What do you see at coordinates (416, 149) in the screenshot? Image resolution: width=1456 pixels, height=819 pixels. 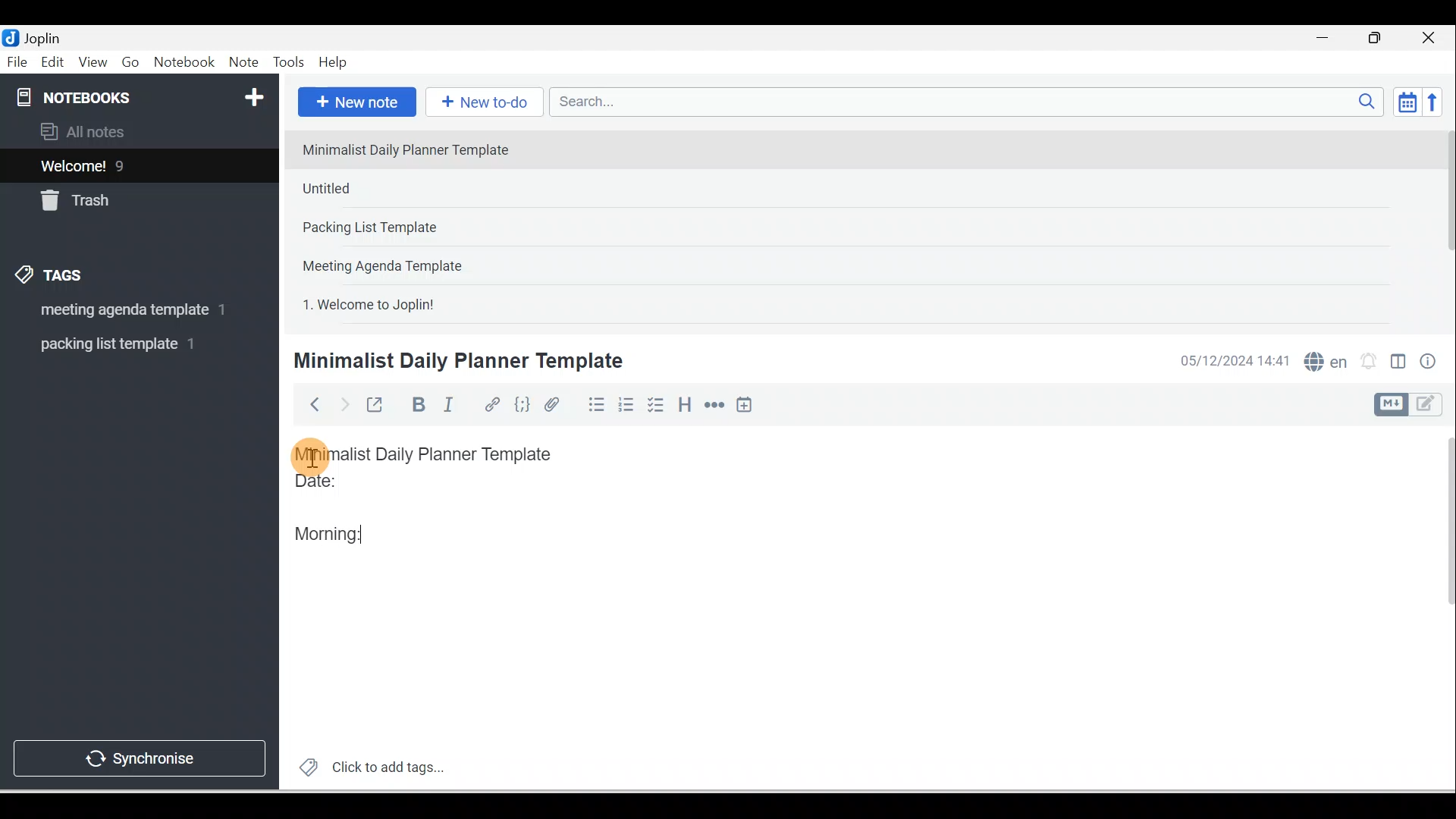 I see `Note 1` at bounding box center [416, 149].